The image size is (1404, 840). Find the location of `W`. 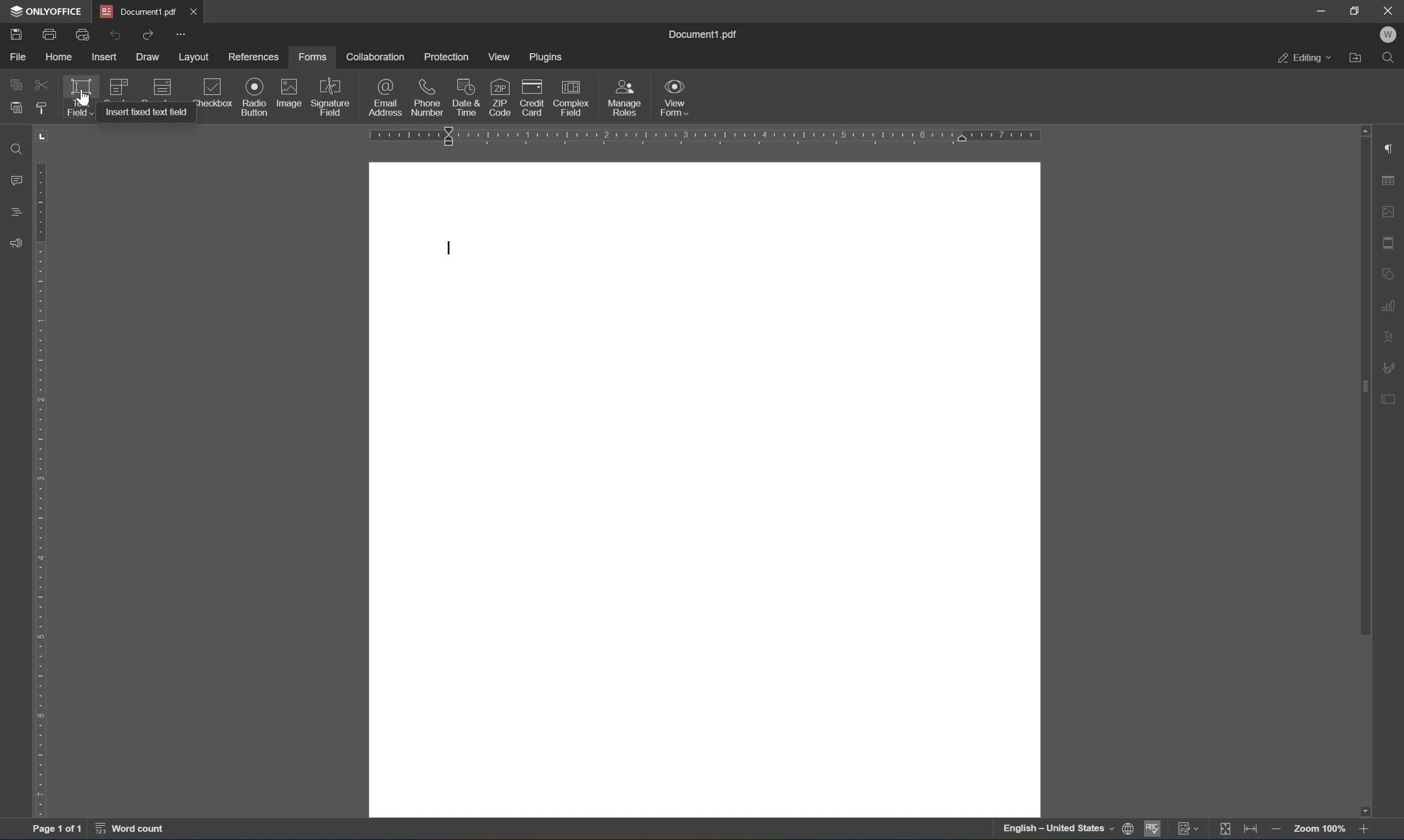

W is located at coordinates (1392, 33).